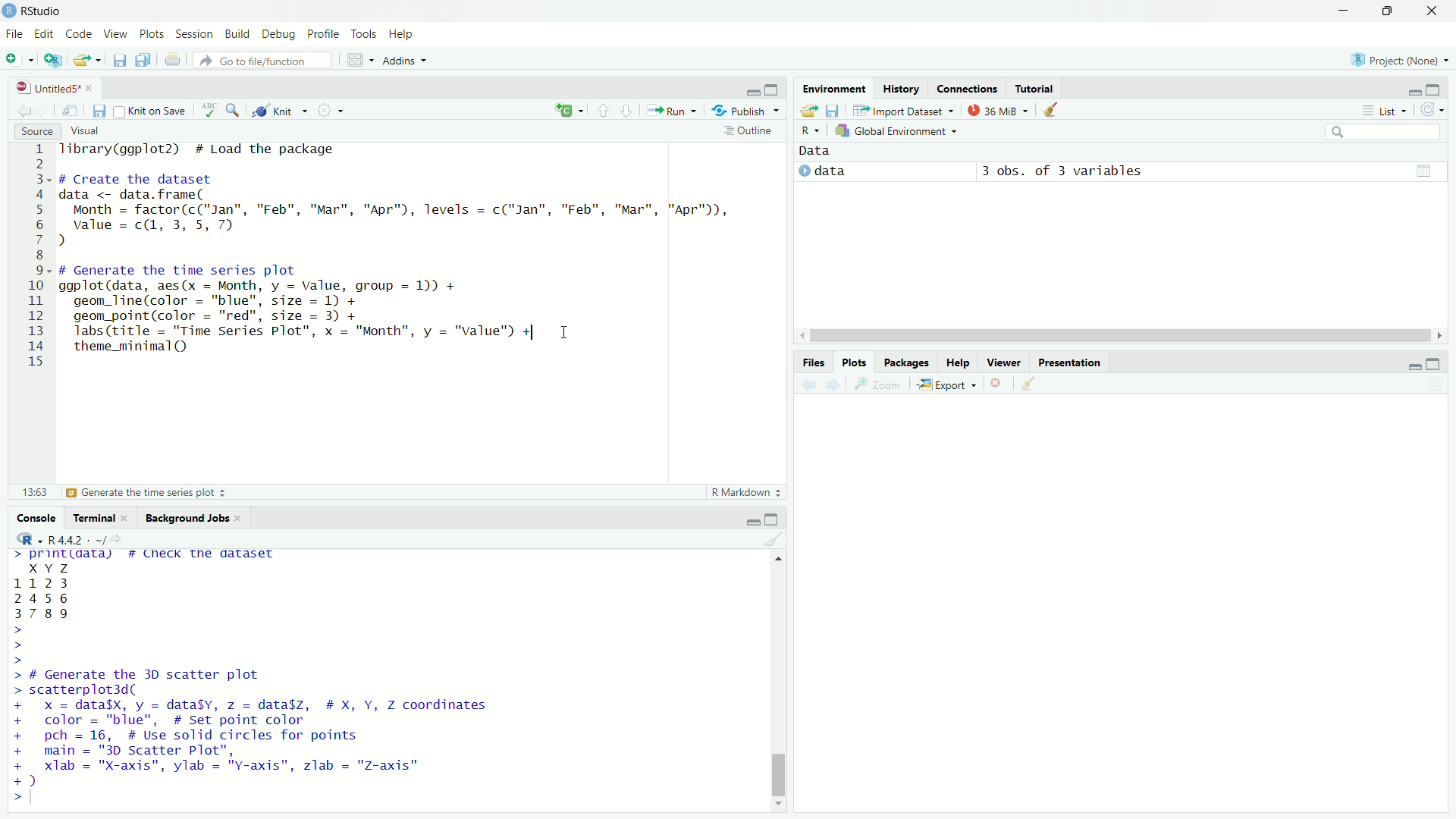  Describe the element at coordinates (805, 384) in the screenshot. I see `previous plot` at that location.